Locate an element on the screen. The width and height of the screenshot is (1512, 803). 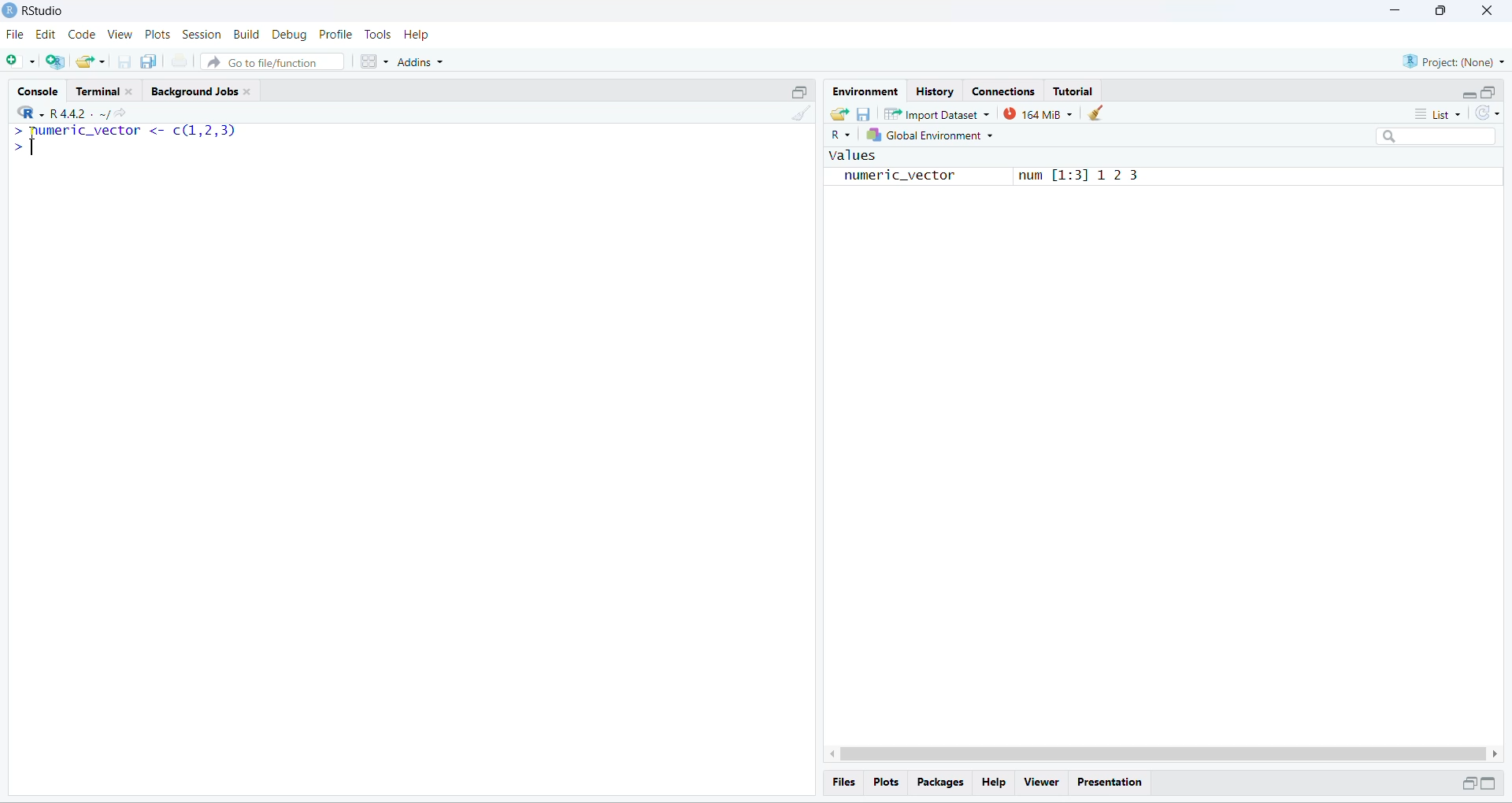
maximize is located at coordinates (799, 91).